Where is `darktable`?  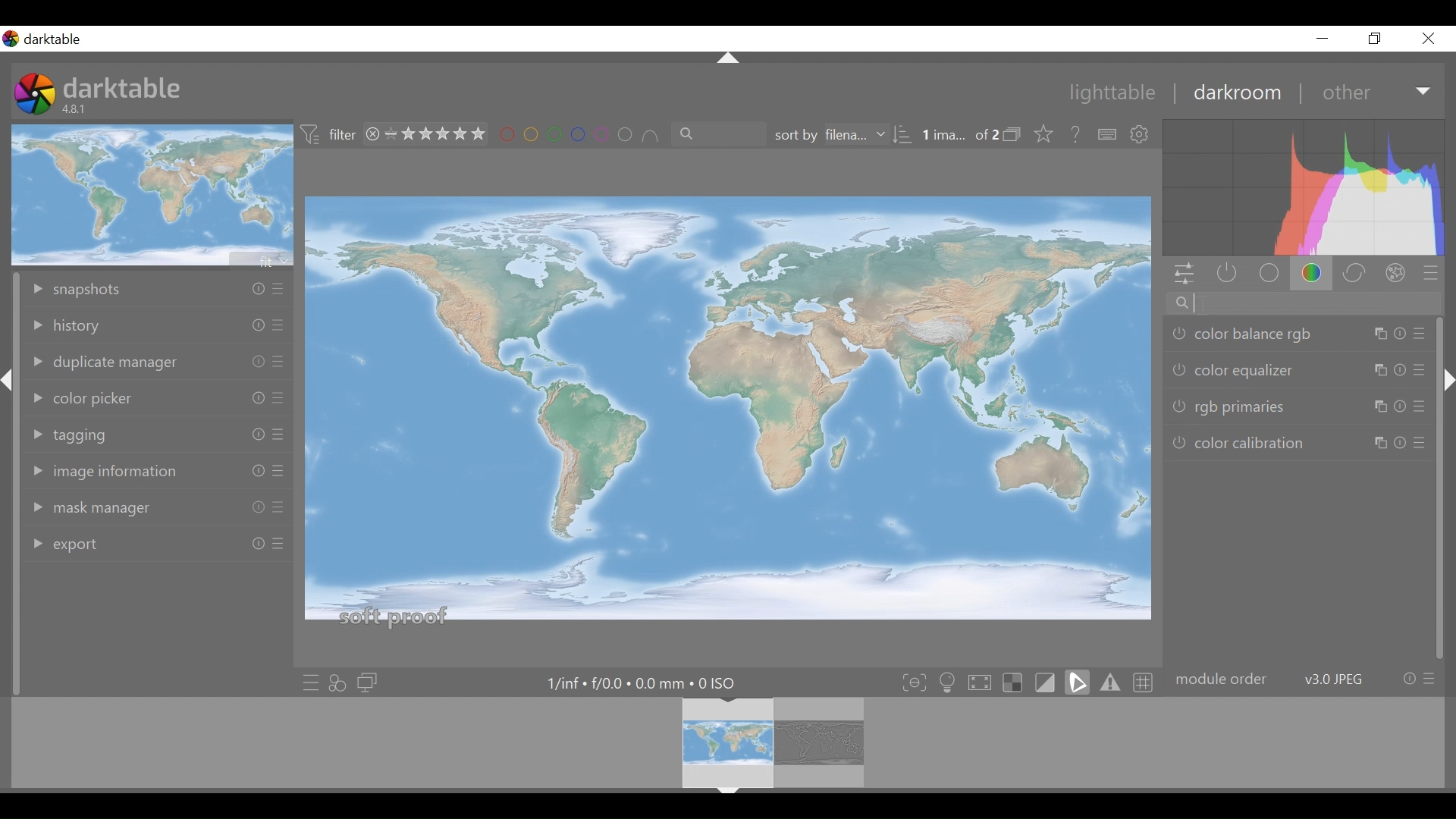
darktable is located at coordinates (128, 86).